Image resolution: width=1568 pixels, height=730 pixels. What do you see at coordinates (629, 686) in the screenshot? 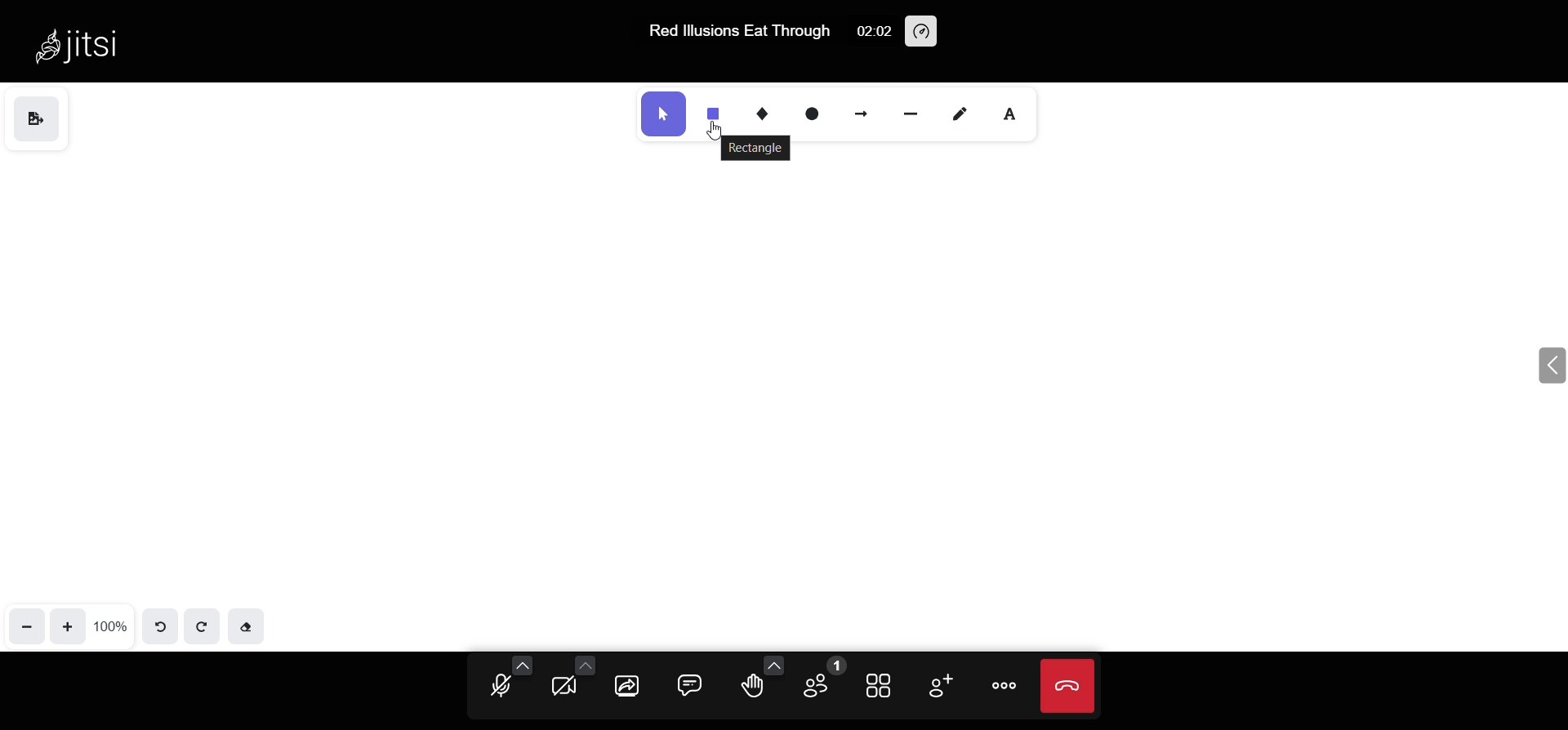
I see `share screen` at bounding box center [629, 686].